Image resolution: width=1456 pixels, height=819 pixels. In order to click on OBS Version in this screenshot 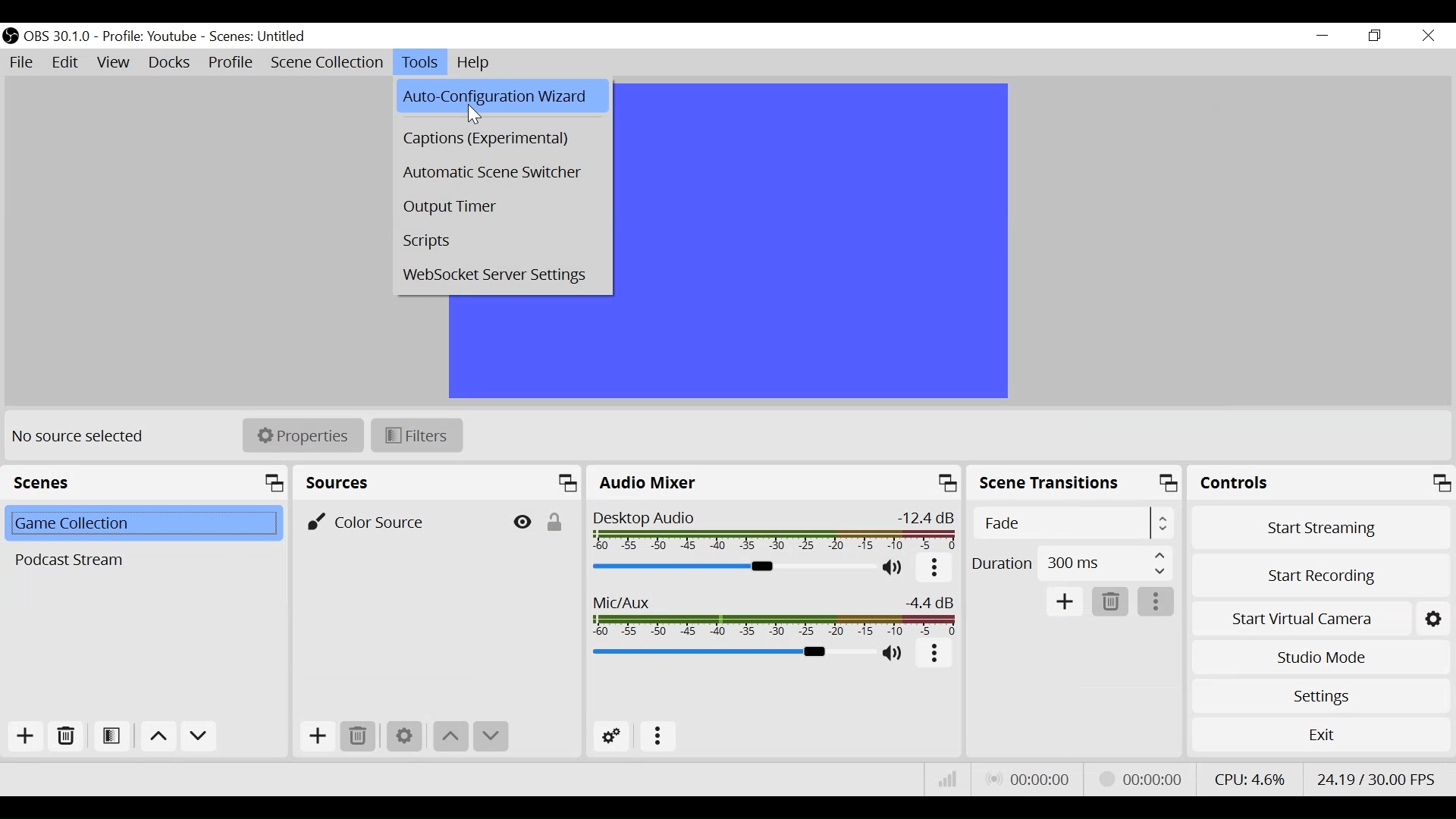, I will do `click(58, 37)`.